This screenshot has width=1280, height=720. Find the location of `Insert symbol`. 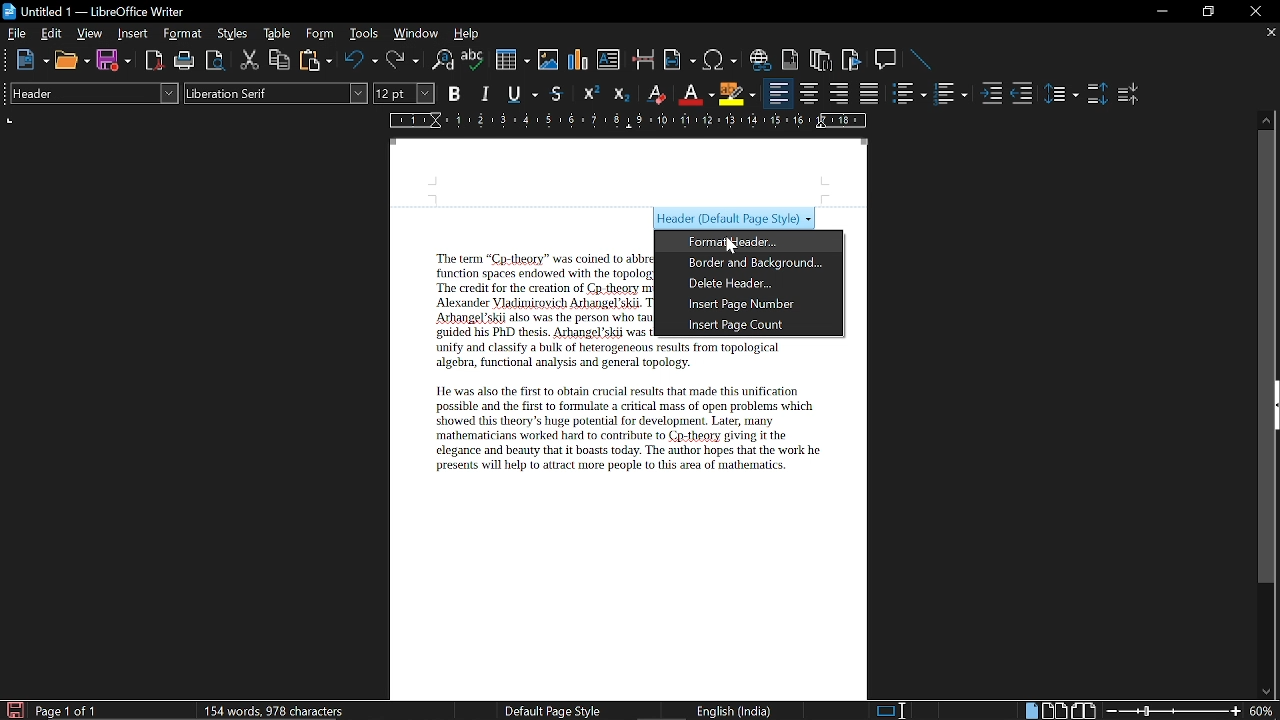

Insert symbol is located at coordinates (722, 60).